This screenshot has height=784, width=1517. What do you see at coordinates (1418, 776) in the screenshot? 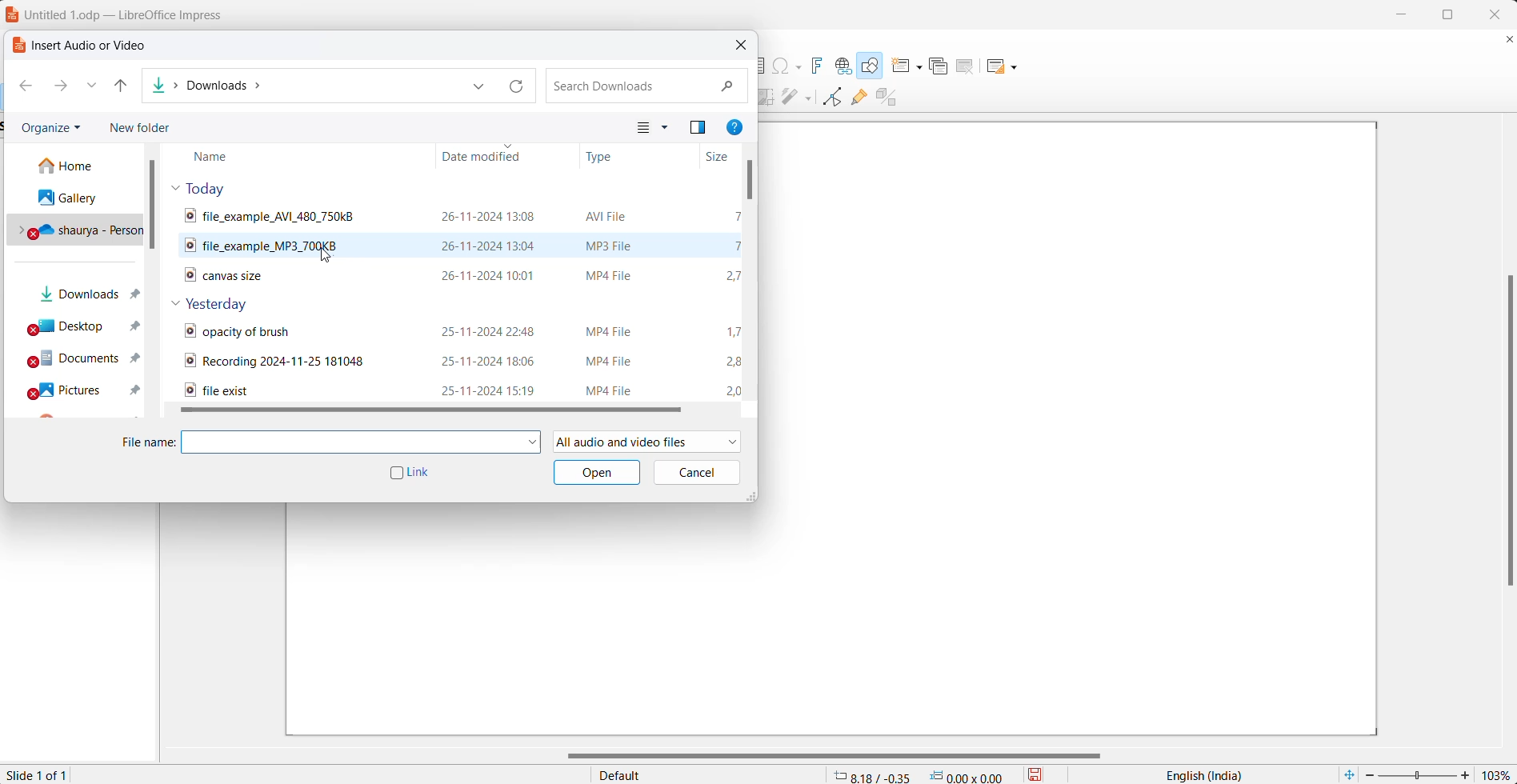
I see `zoom slider` at bounding box center [1418, 776].